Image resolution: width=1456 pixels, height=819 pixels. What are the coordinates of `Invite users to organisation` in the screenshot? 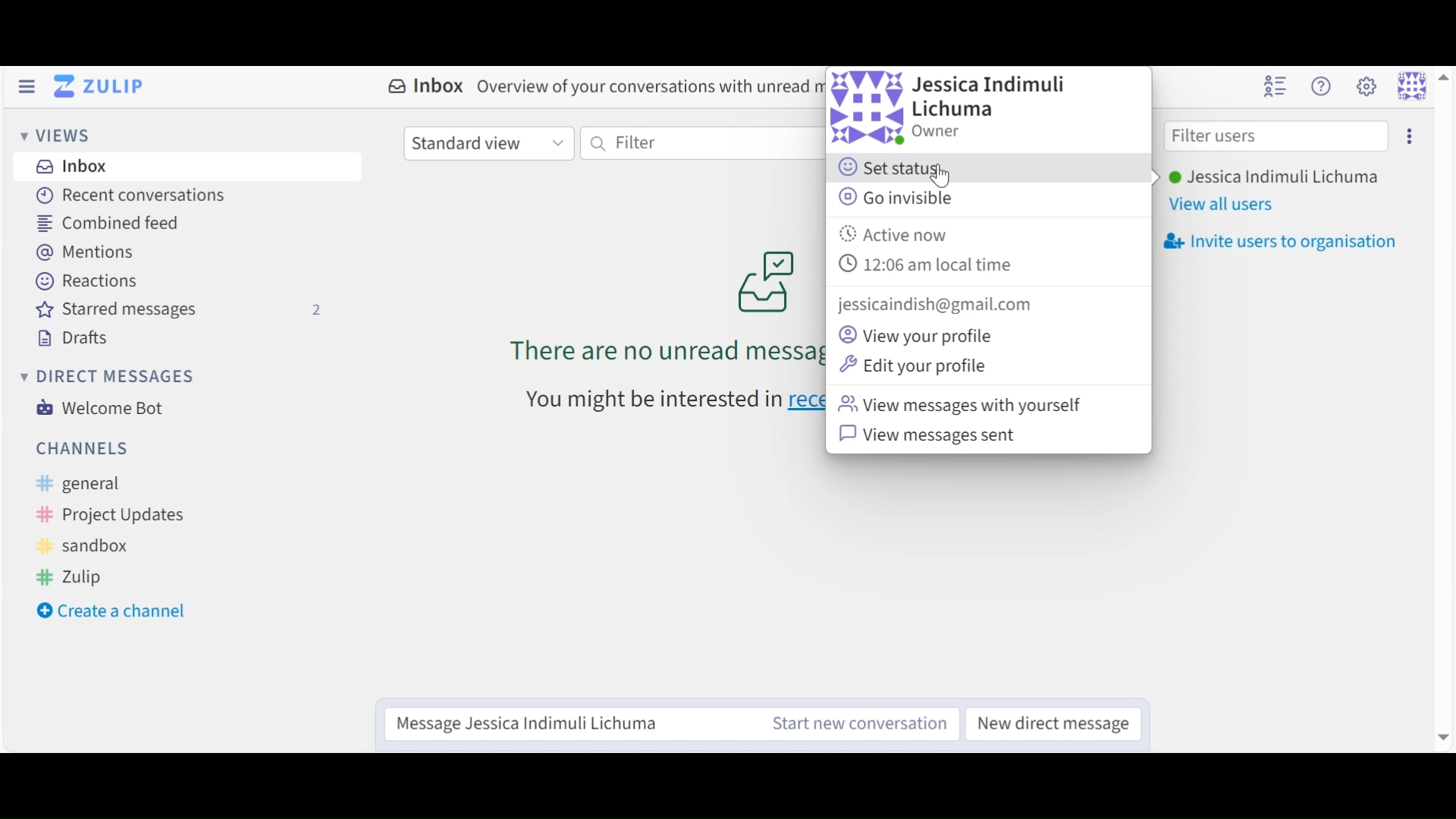 It's located at (1407, 136).